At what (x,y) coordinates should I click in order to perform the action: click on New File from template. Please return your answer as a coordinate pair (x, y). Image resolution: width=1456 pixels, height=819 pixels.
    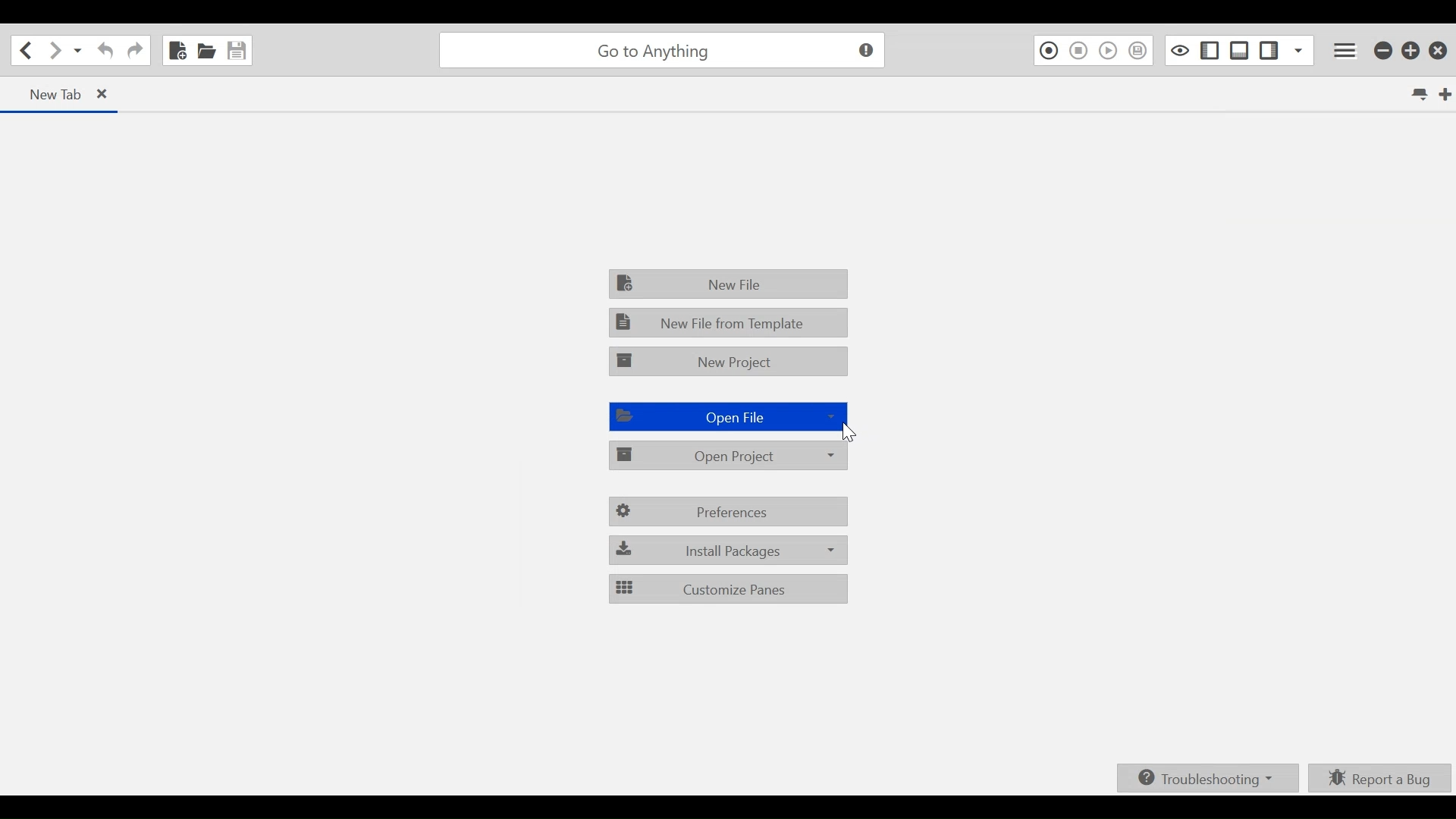
    Looking at the image, I should click on (730, 320).